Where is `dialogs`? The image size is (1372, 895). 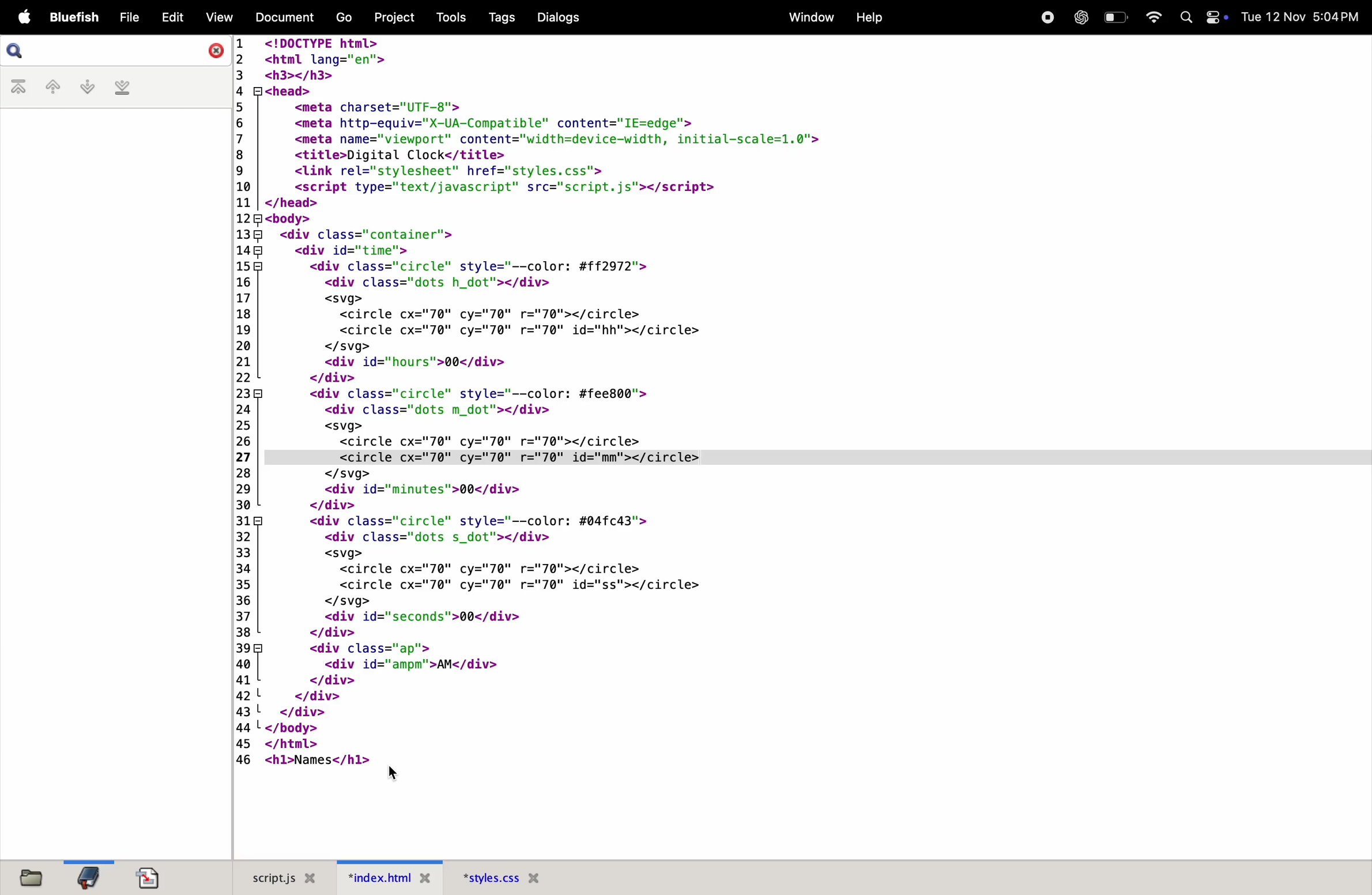 dialogs is located at coordinates (559, 17).